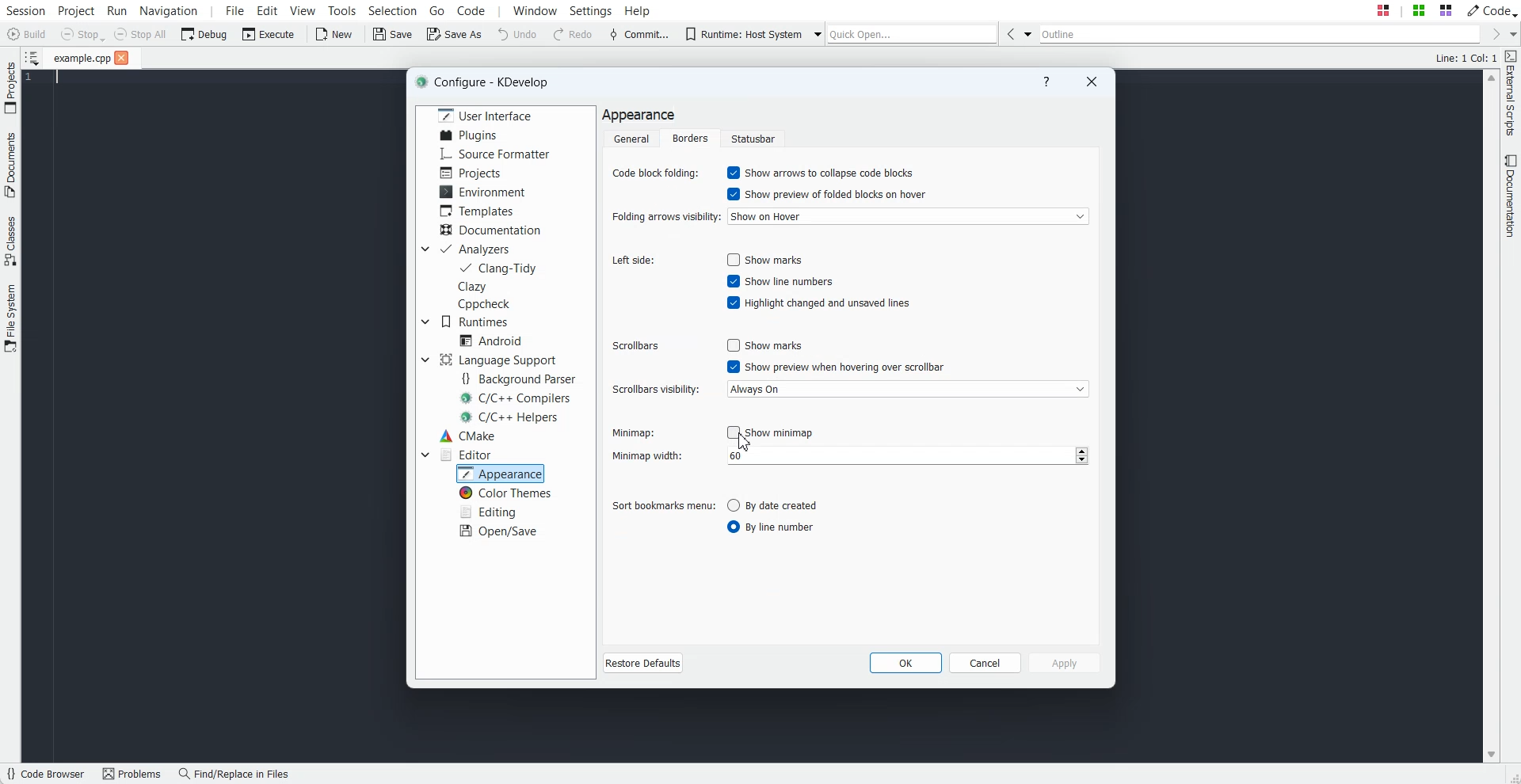  I want to click on Background Parser, so click(520, 378).